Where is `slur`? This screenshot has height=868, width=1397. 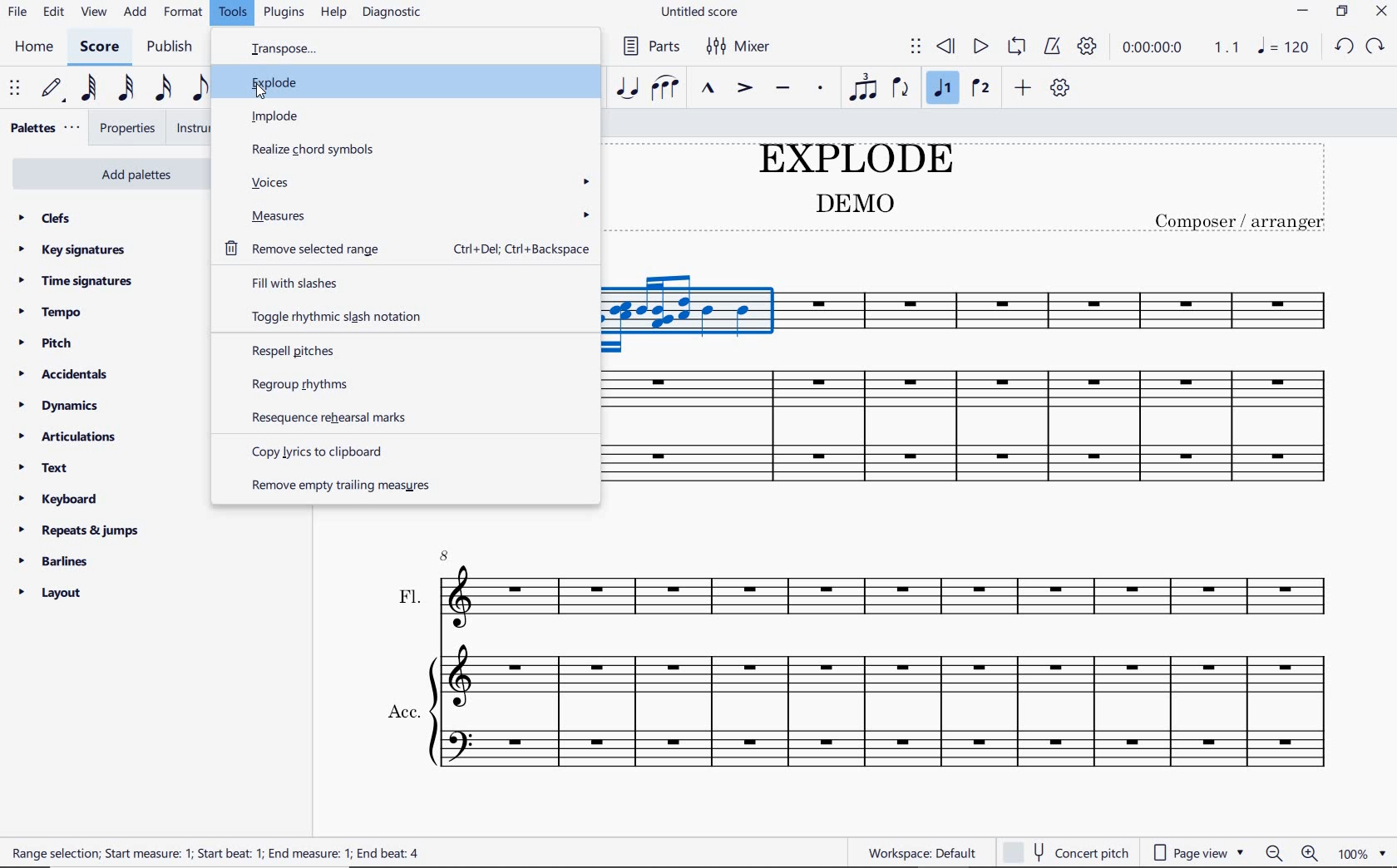 slur is located at coordinates (665, 88).